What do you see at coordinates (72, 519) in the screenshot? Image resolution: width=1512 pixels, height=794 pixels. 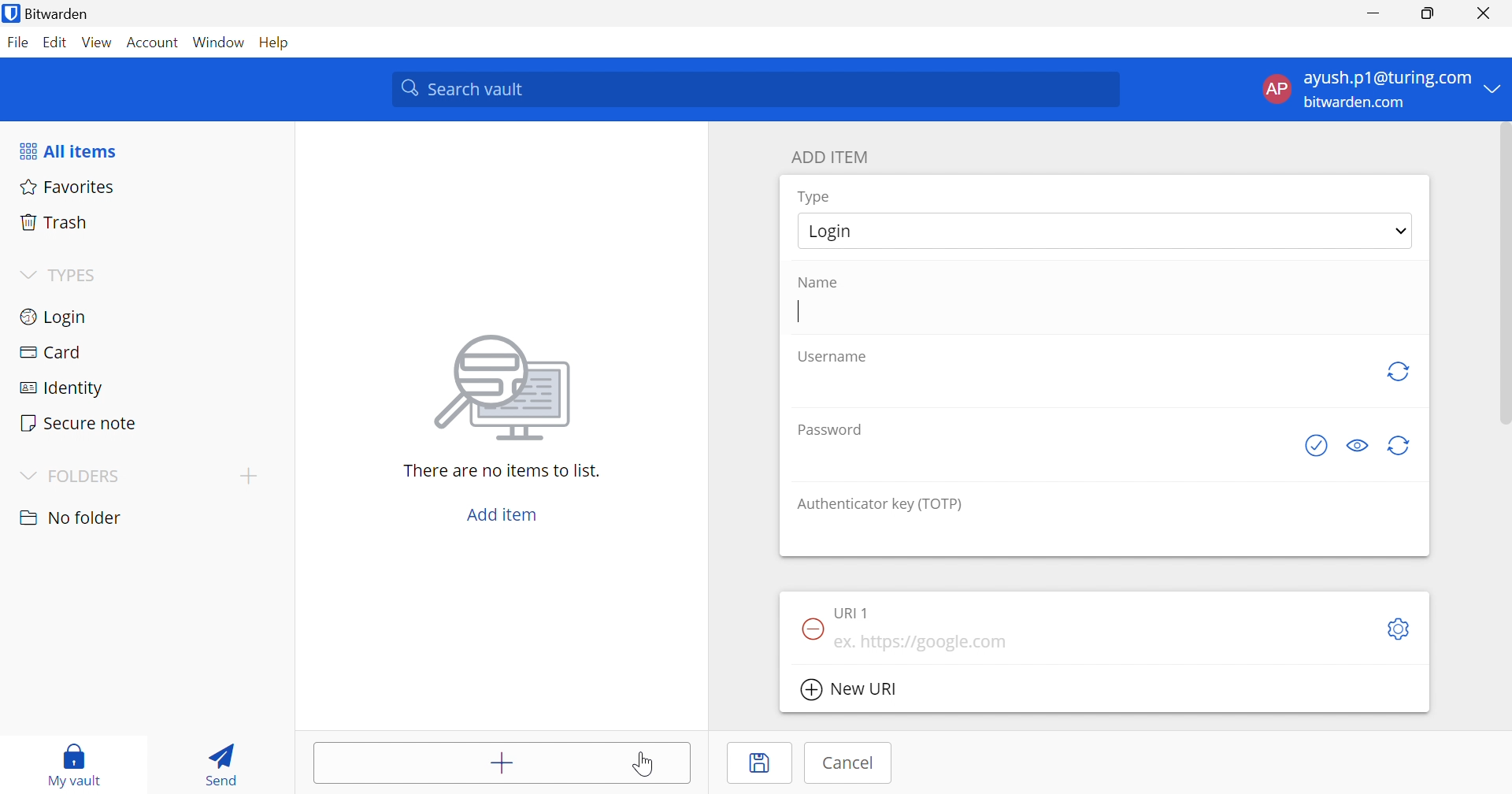 I see `No folder` at bounding box center [72, 519].